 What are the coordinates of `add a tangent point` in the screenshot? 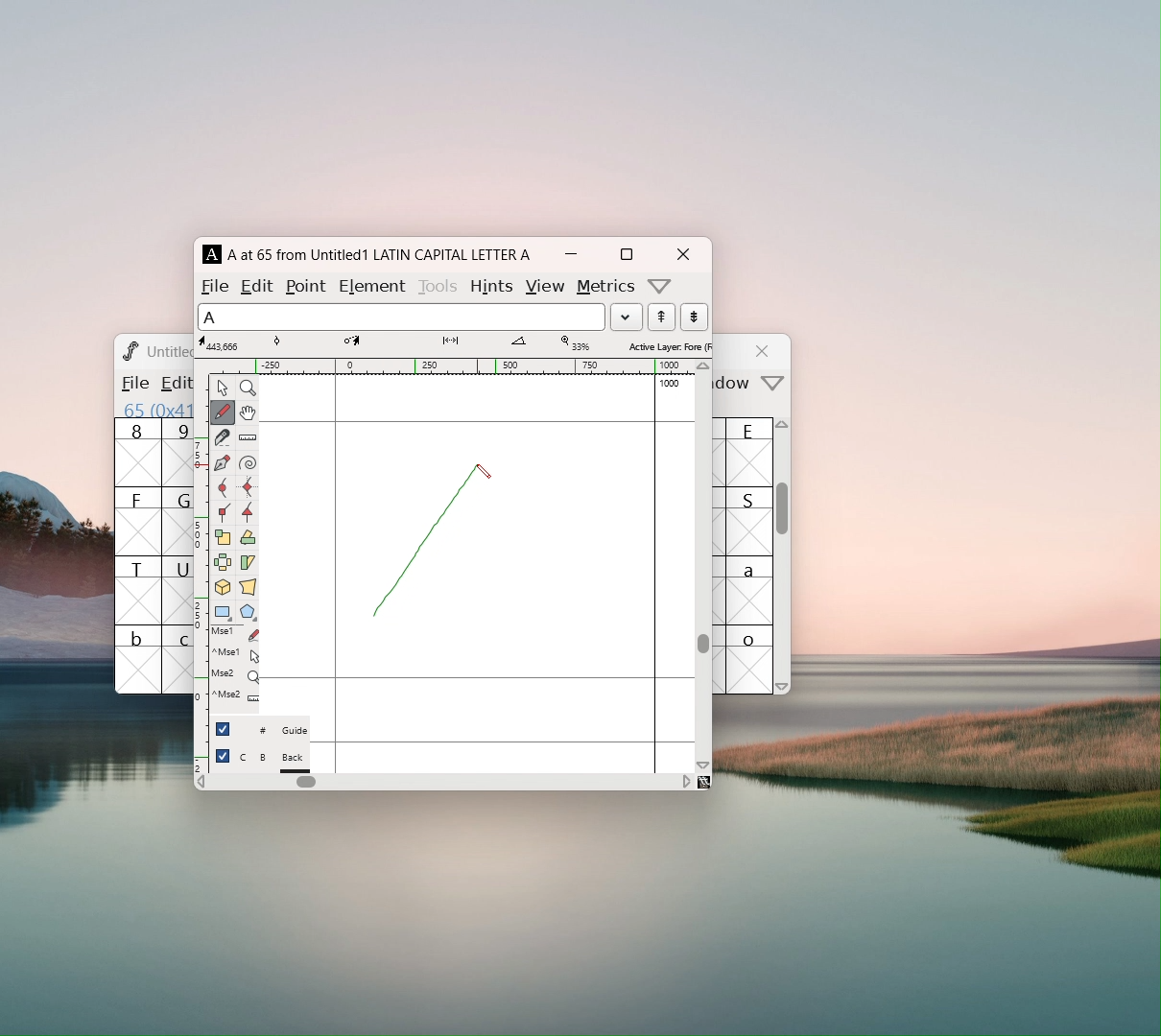 It's located at (247, 512).